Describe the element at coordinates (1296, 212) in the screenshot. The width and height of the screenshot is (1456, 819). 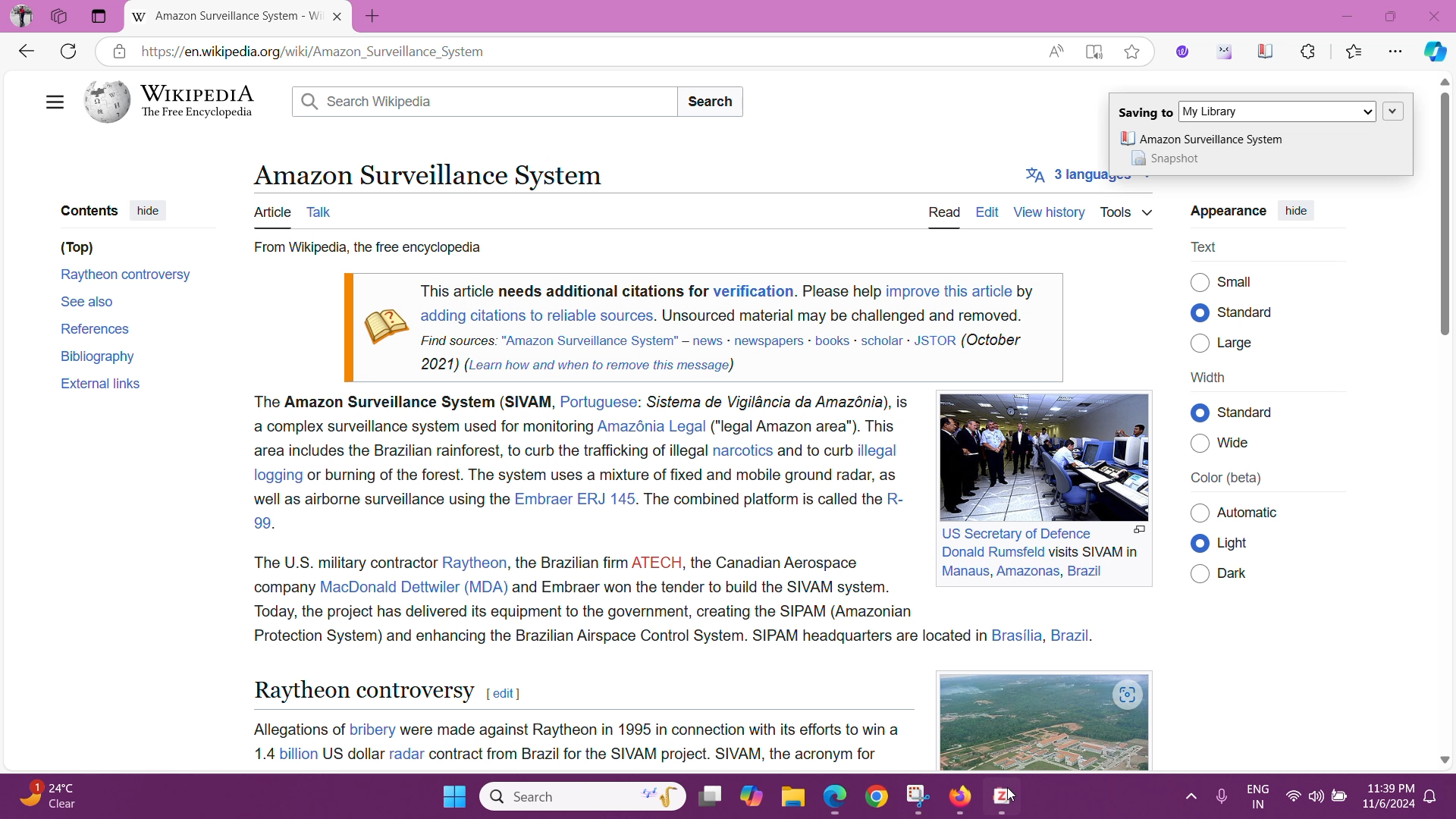
I see `hide` at that location.